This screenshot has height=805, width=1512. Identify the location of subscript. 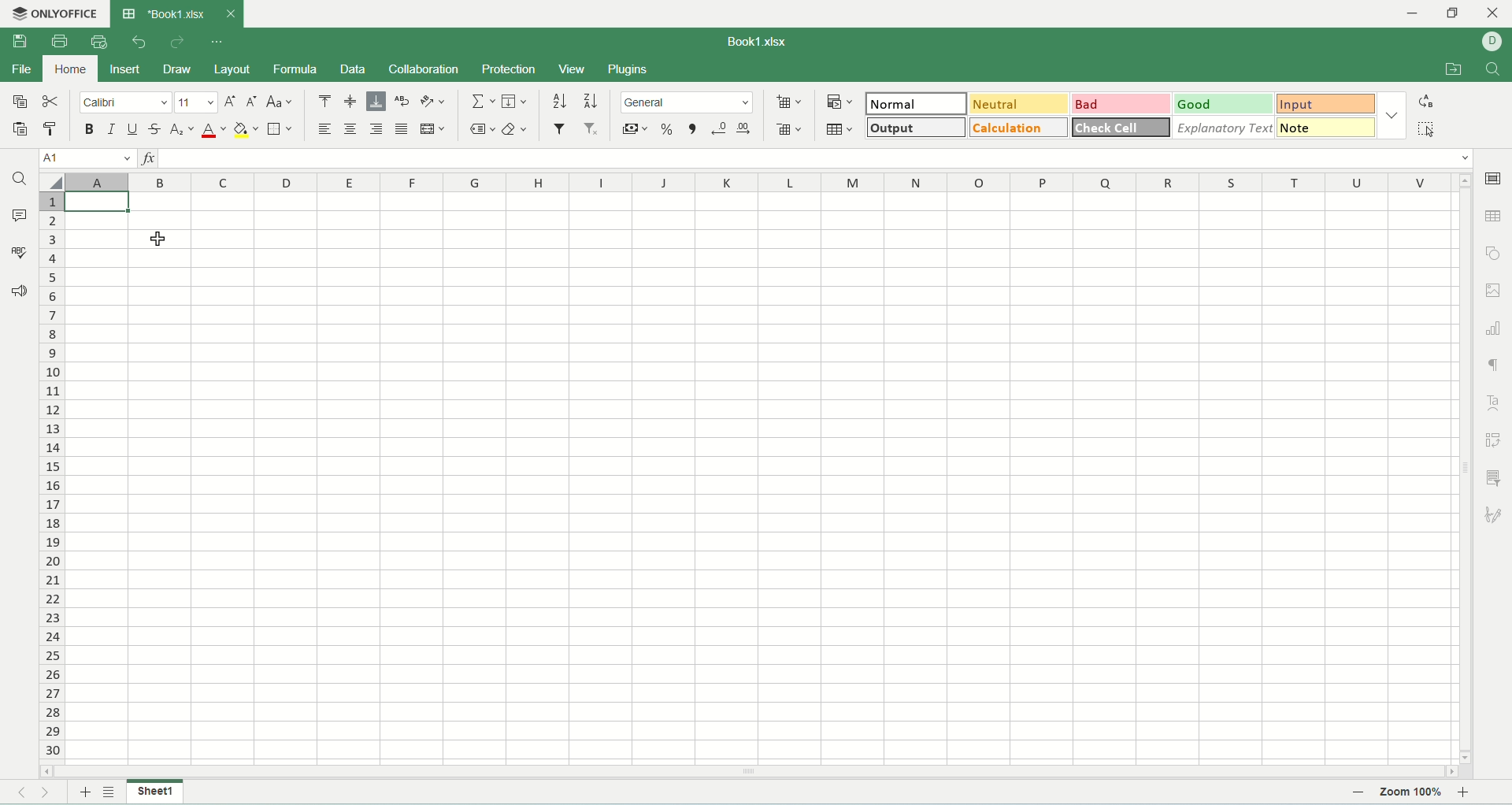
(182, 131).